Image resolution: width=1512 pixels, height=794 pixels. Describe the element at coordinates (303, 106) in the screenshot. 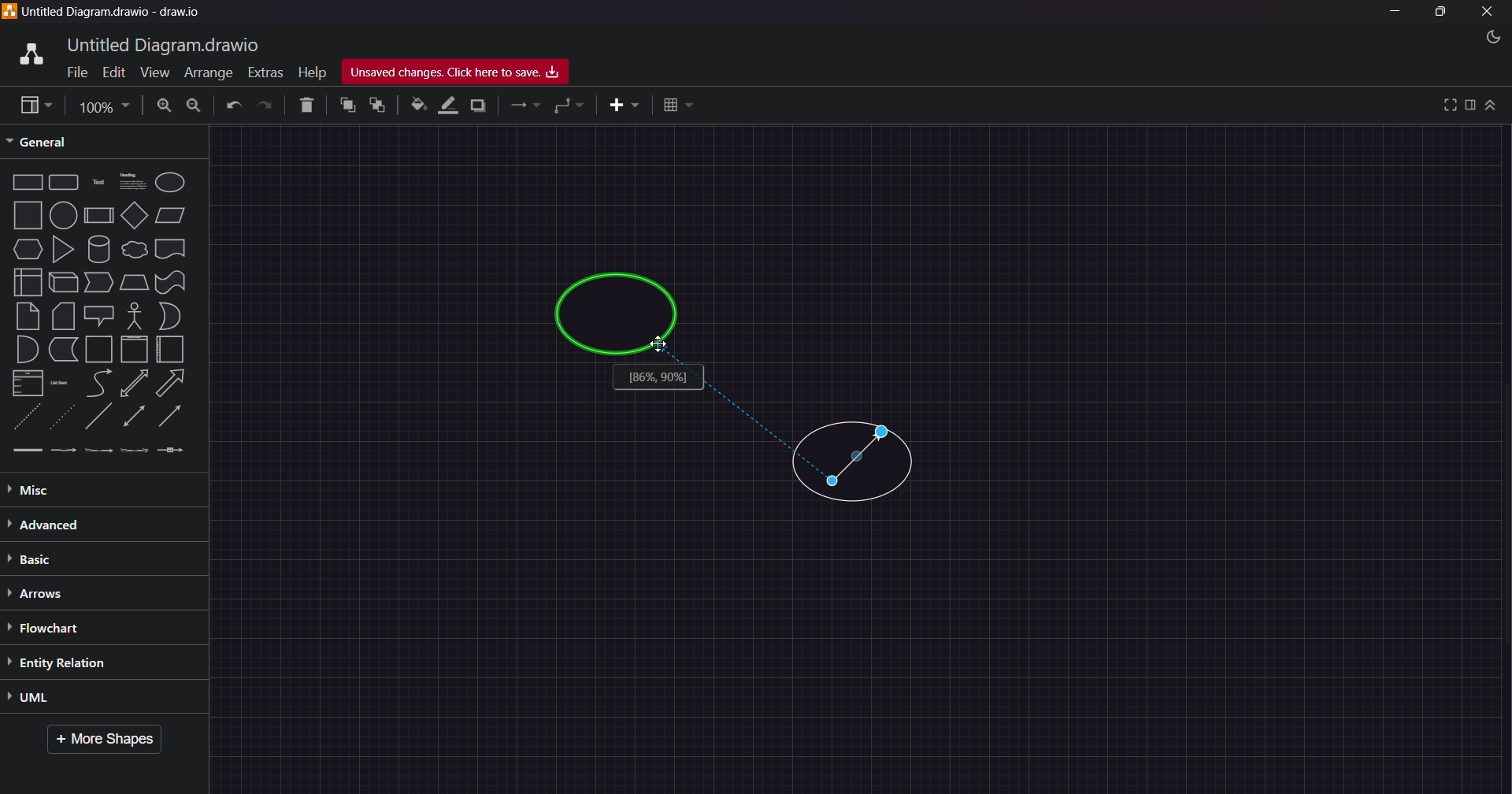

I see `Delete` at that location.